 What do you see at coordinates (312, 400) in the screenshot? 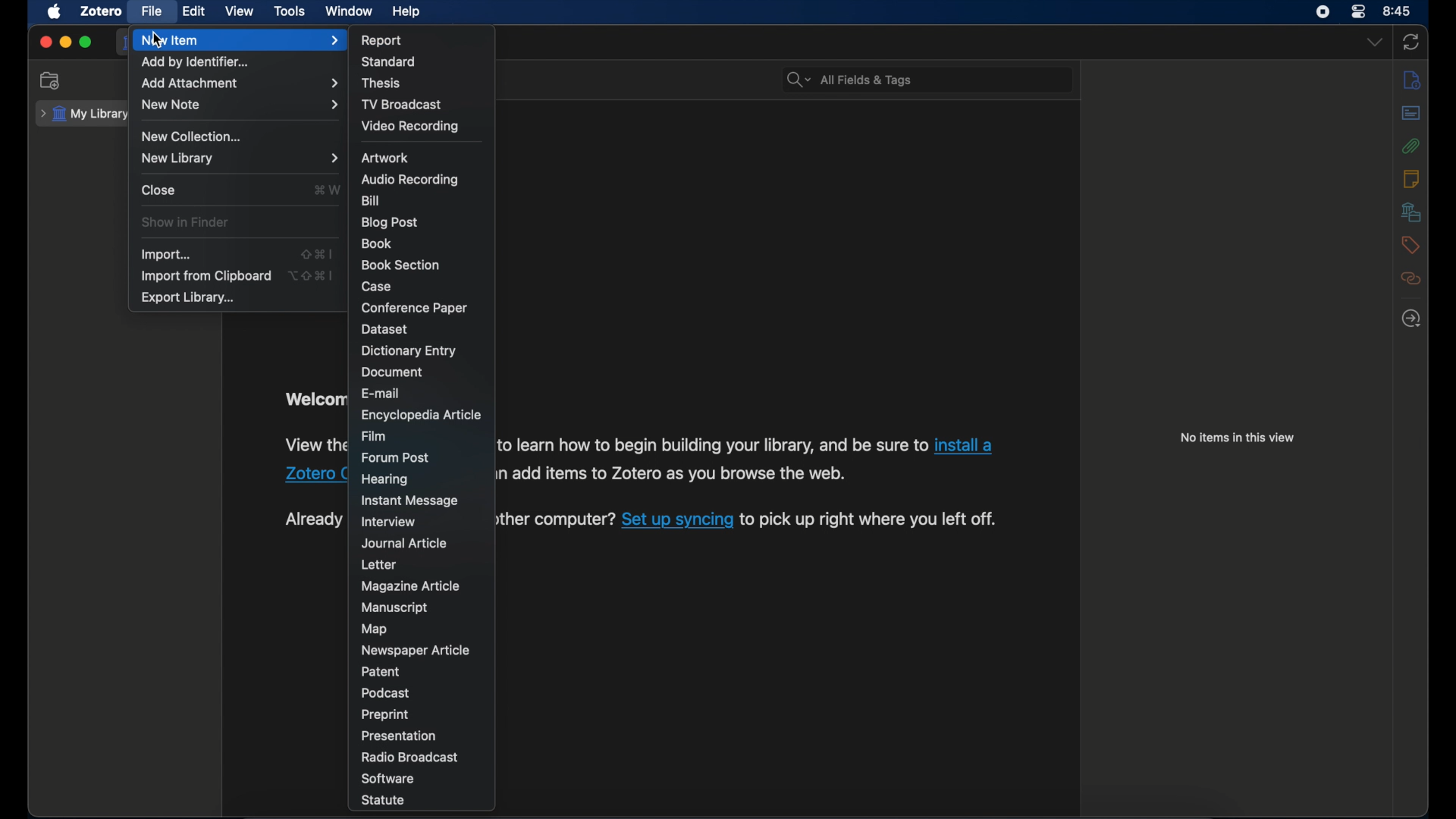
I see `welcome to zotero` at bounding box center [312, 400].